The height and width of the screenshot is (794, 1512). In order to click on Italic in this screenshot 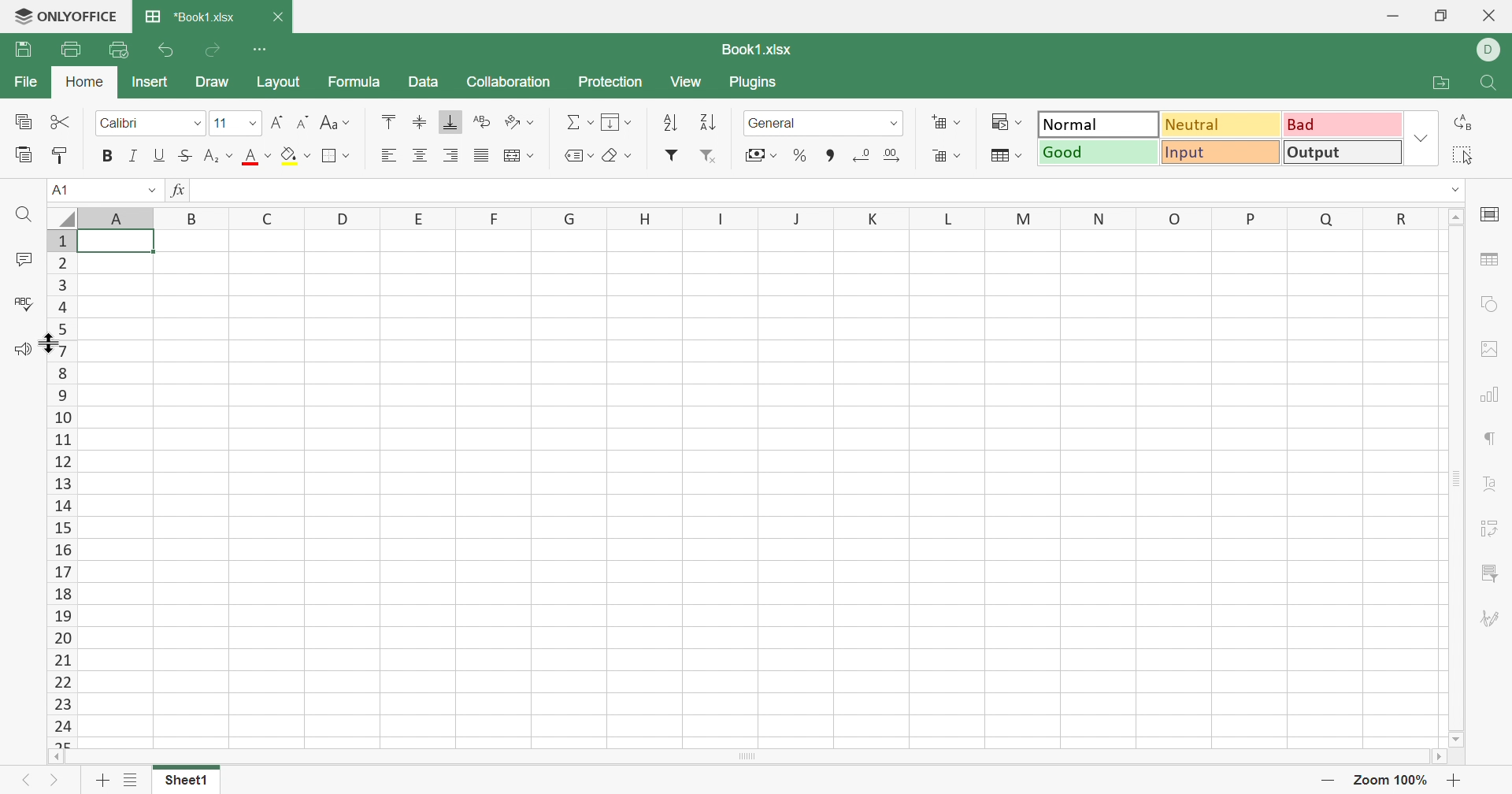, I will do `click(135, 155)`.